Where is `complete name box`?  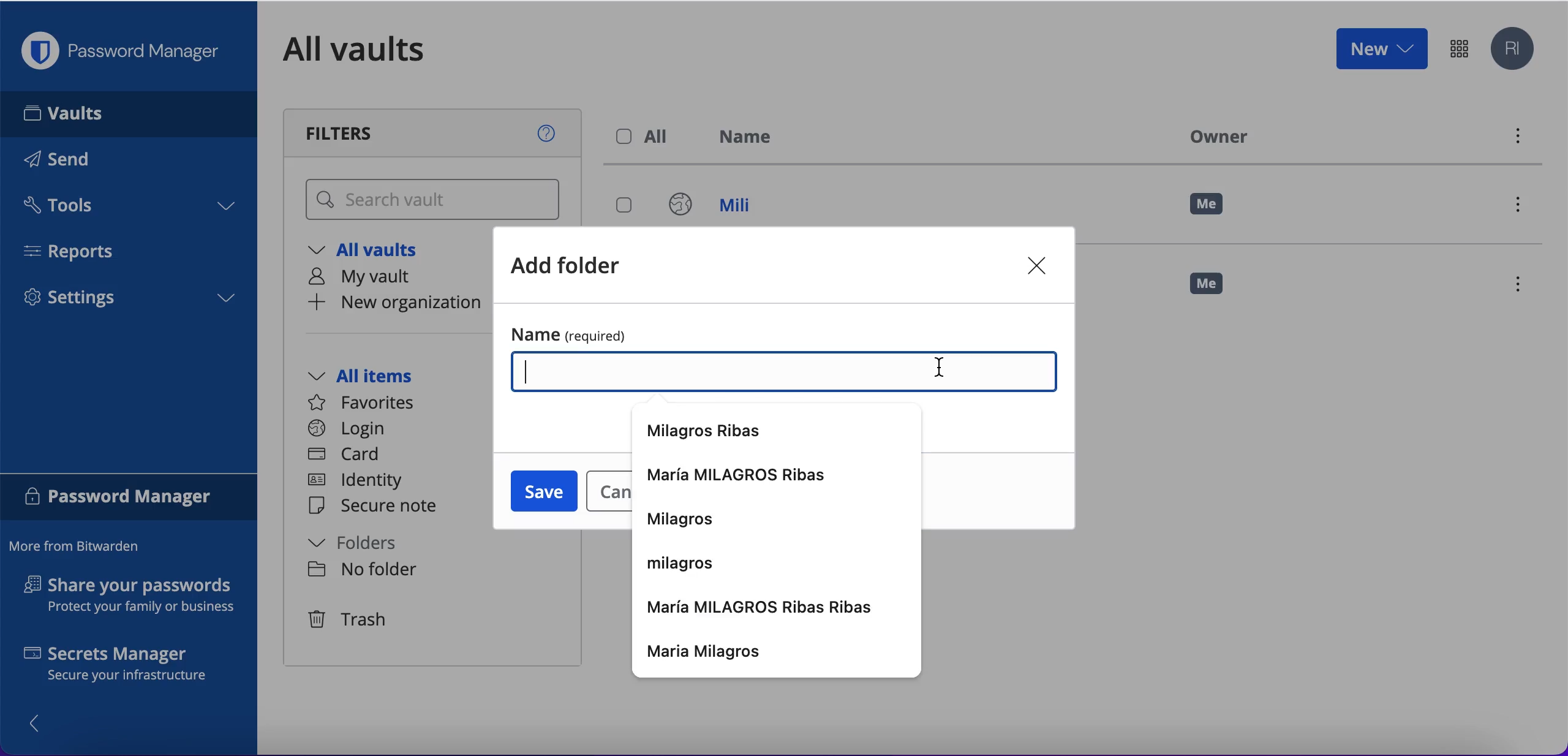
complete name box is located at coordinates (786, 374).